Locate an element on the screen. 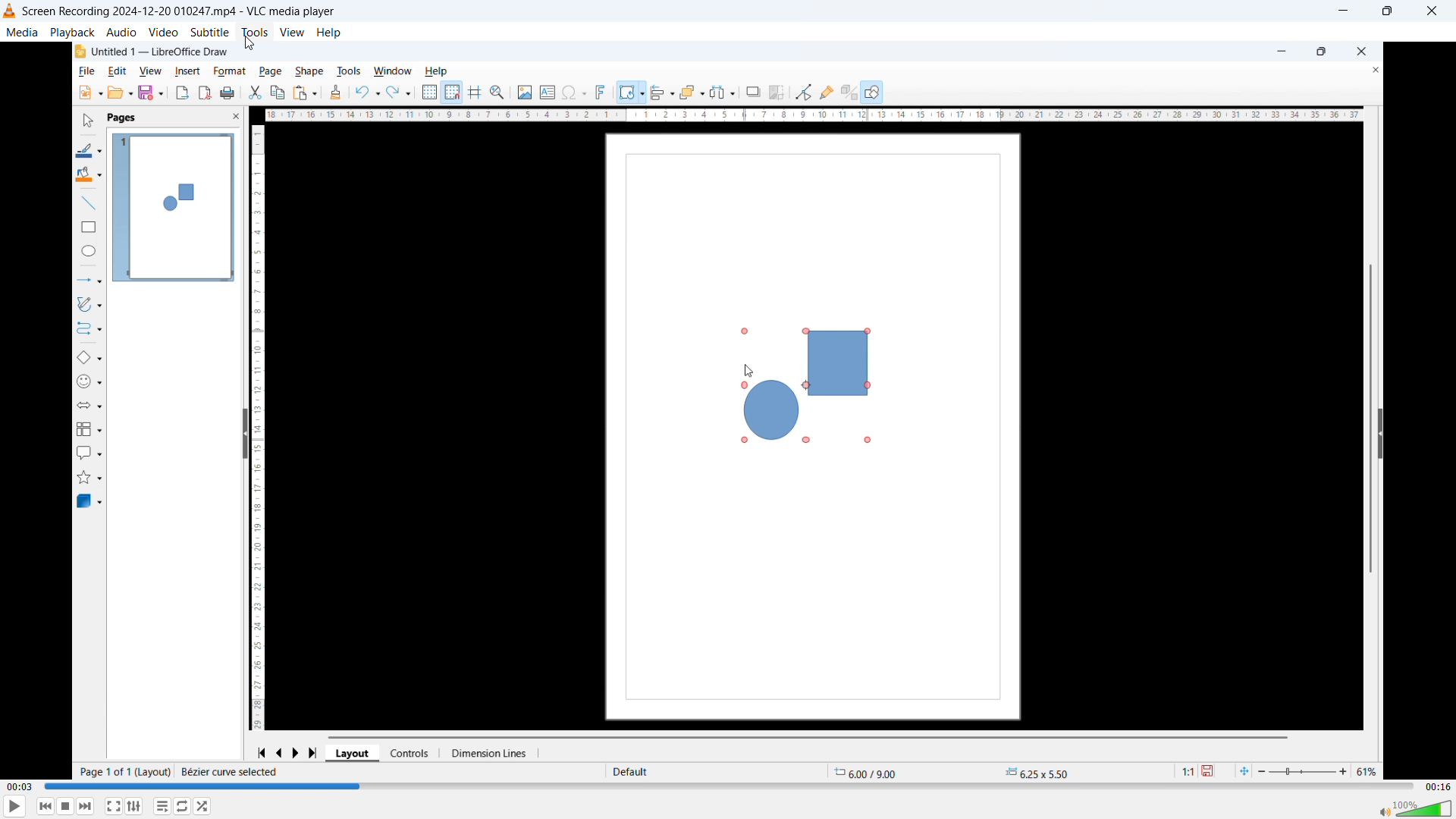 Image resolution: width=1456 pixels, height=819 pixels. Maximize  is located at coordinates (1387, 11).